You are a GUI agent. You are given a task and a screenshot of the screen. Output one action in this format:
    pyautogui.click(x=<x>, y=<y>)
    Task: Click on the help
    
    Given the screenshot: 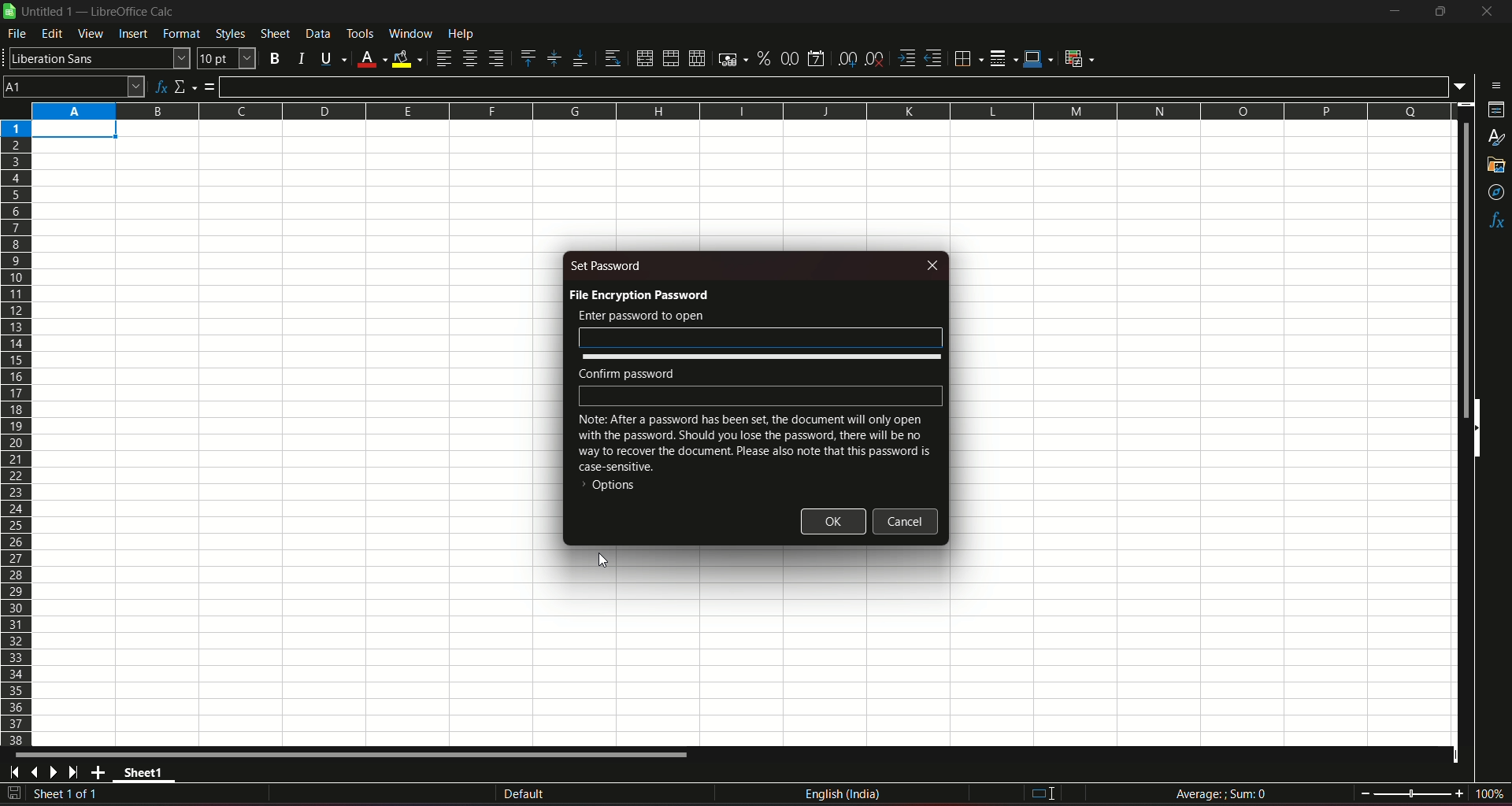 What is the action you would take?
    pyautogui.click(x=472, y=35)
    